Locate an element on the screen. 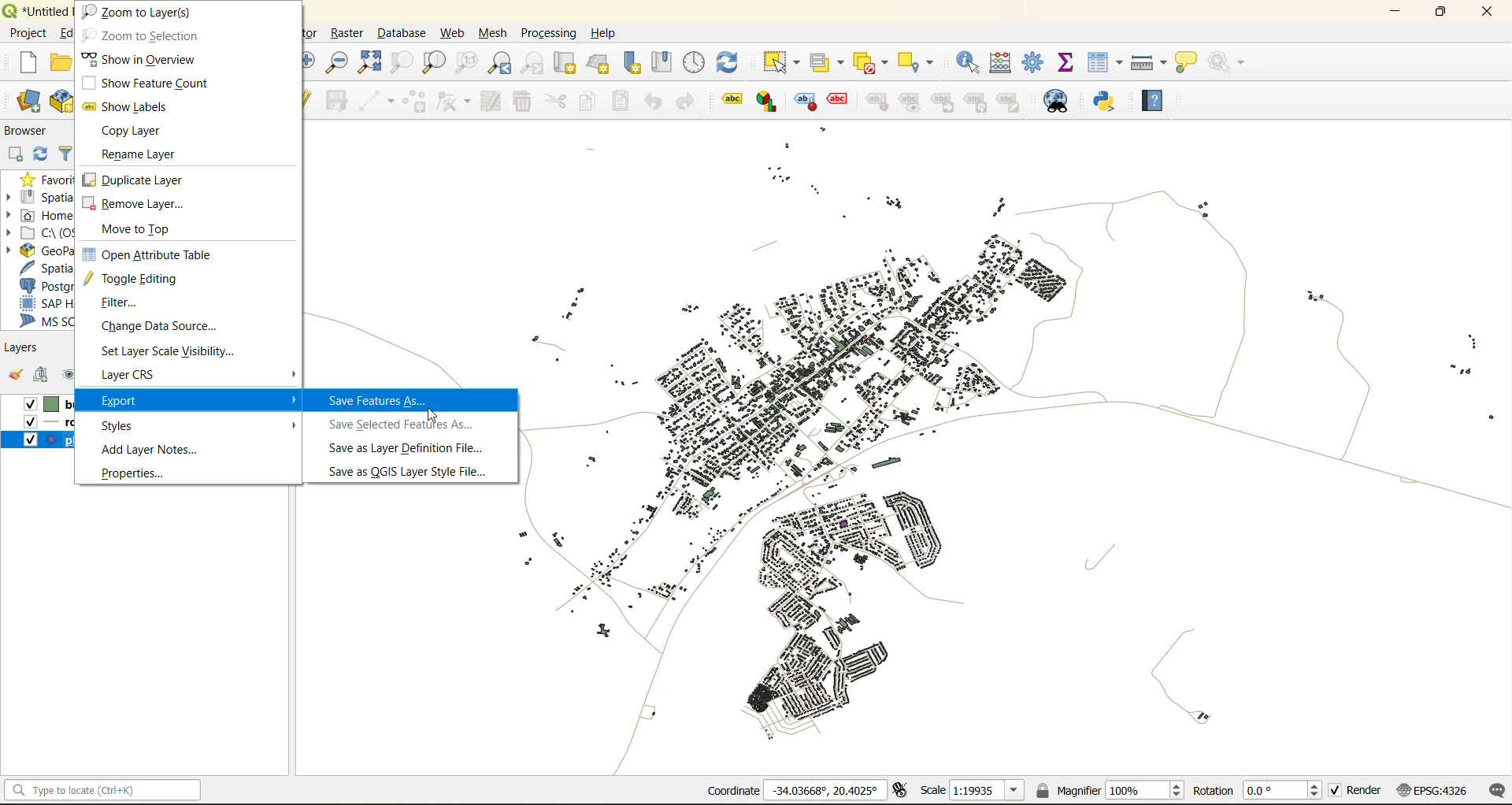  log messages is located at coordinates (1495, 791).